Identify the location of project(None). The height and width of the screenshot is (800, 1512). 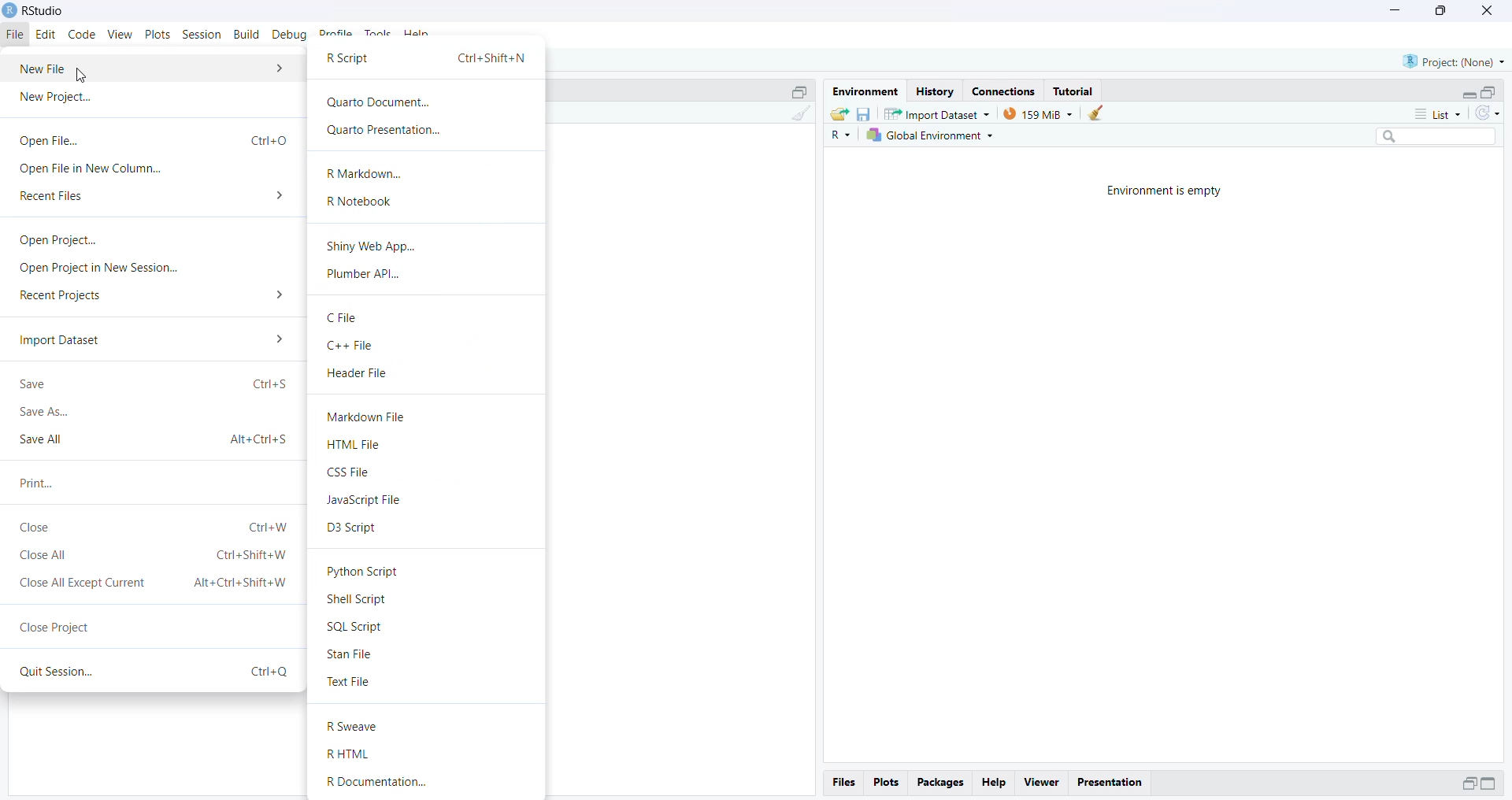
(1453, 62).